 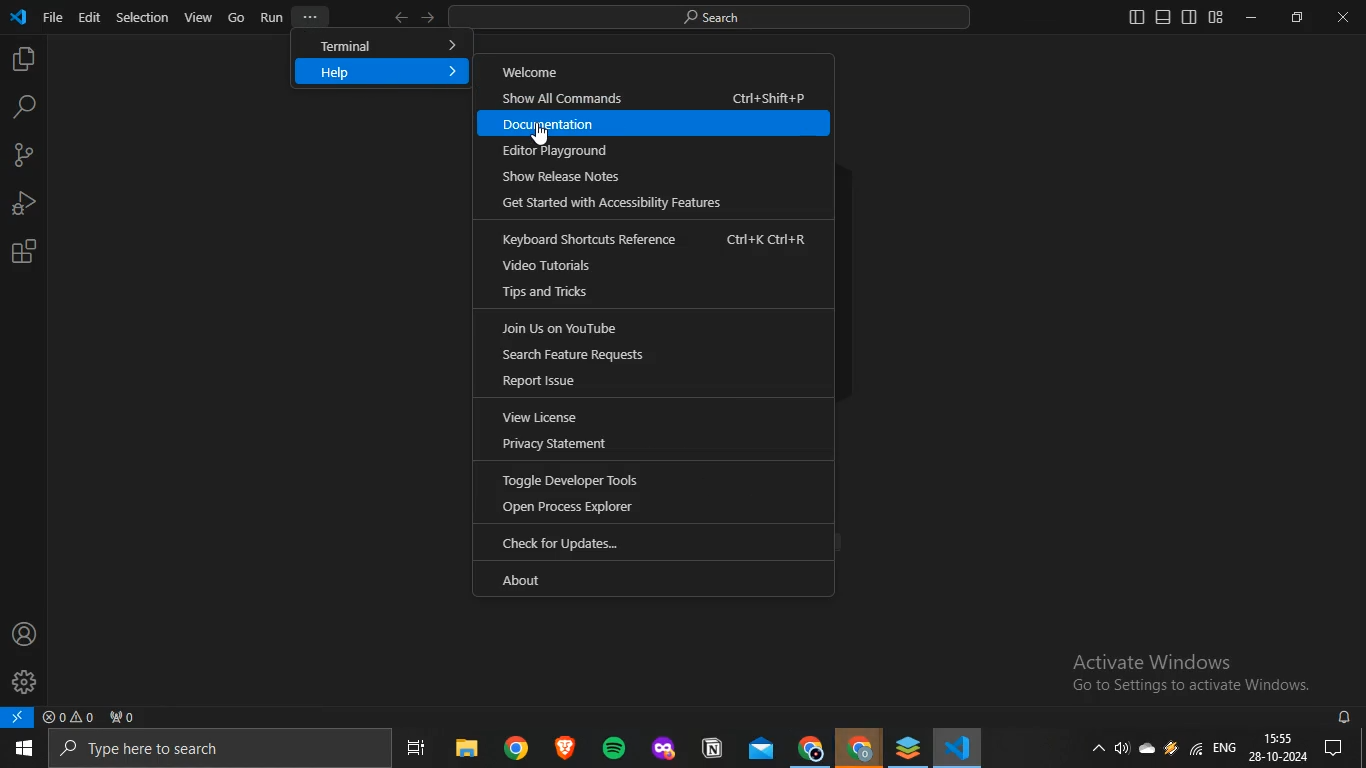 I want to click on no ports forwarded, so click(x=122, y=717).